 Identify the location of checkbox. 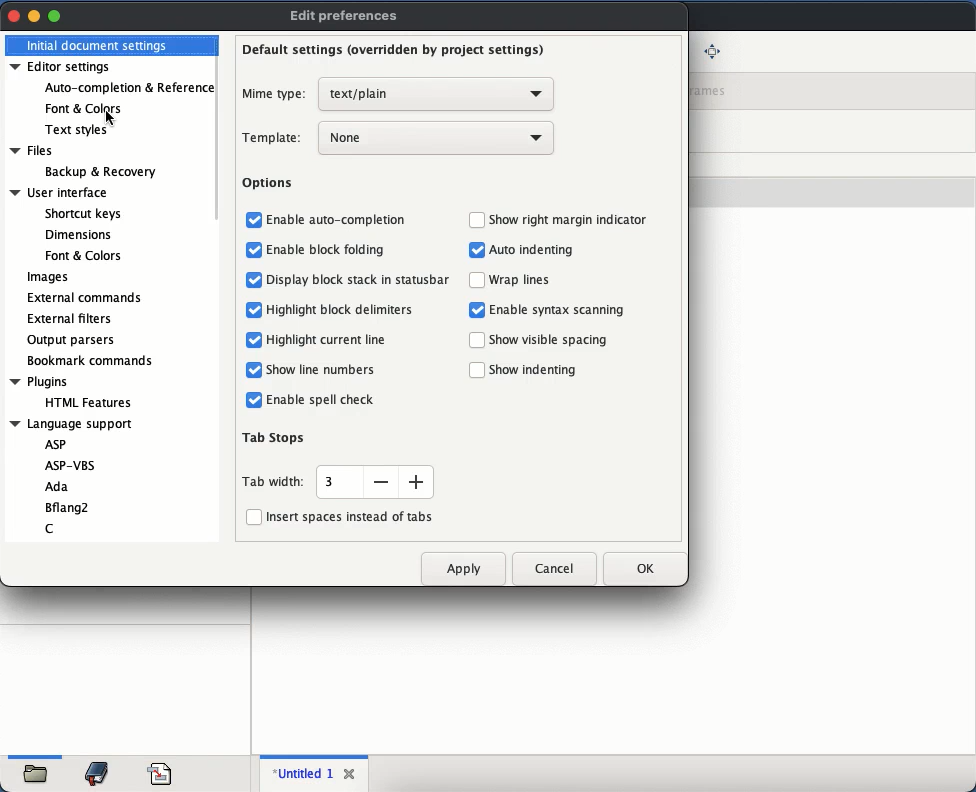
(477, 280).